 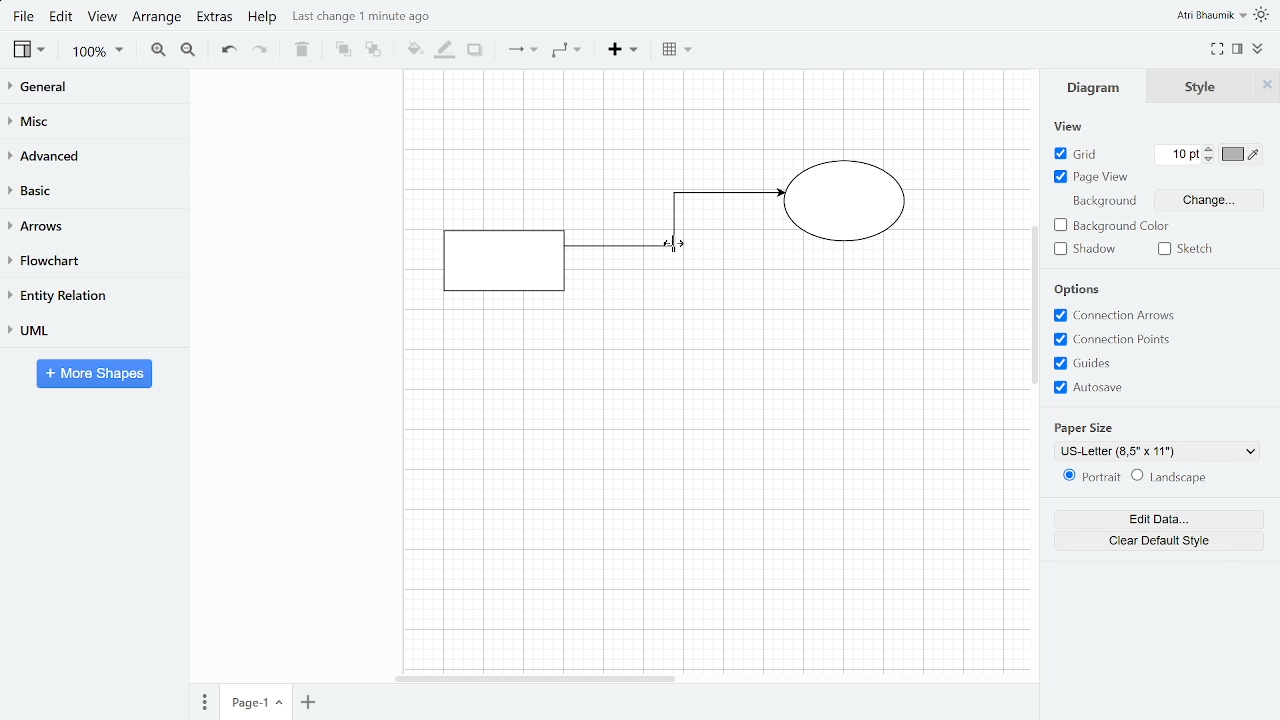 I want to click on Decrease grid pt, so click(x=1210, y=158).